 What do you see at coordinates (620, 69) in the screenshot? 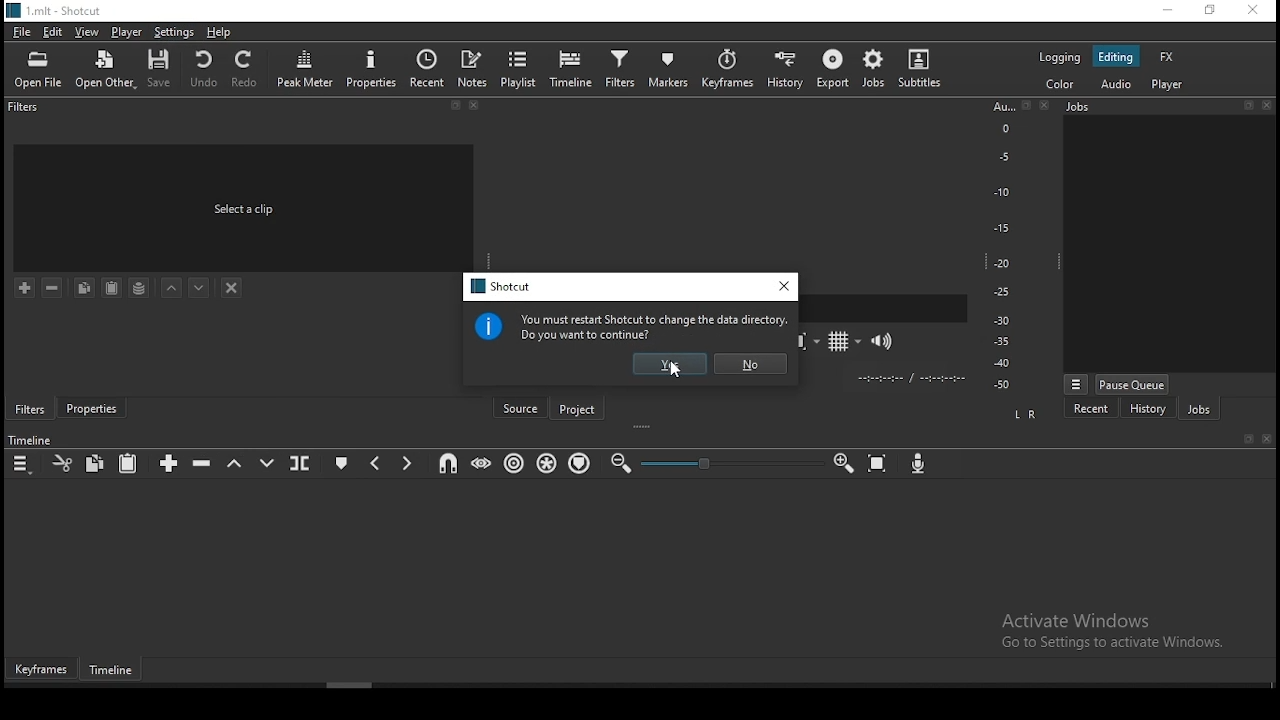
I see `filters` at bounding box center [620, 69].